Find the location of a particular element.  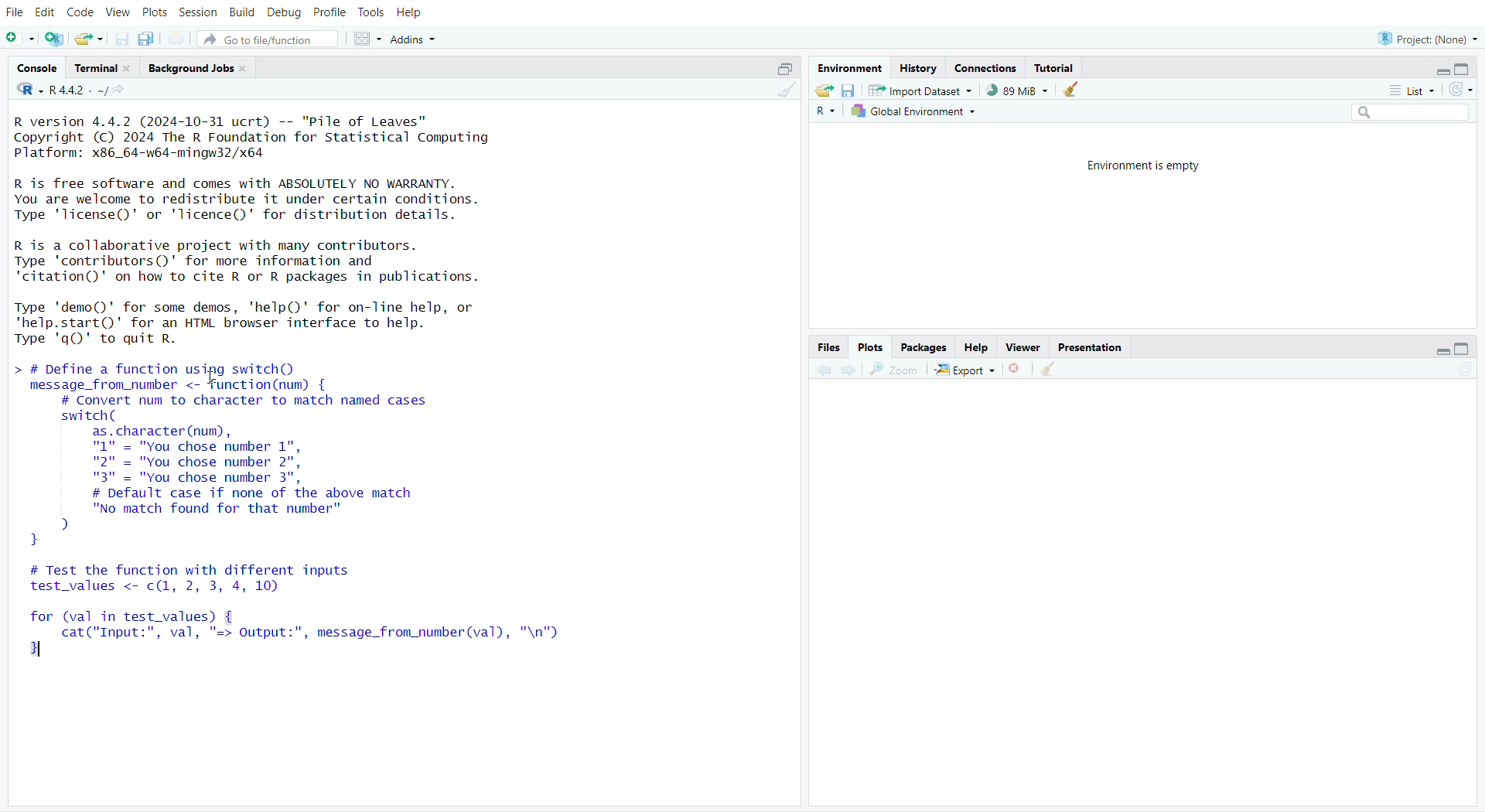

R 4.4.2~/ is located at coordinates (77, 92).